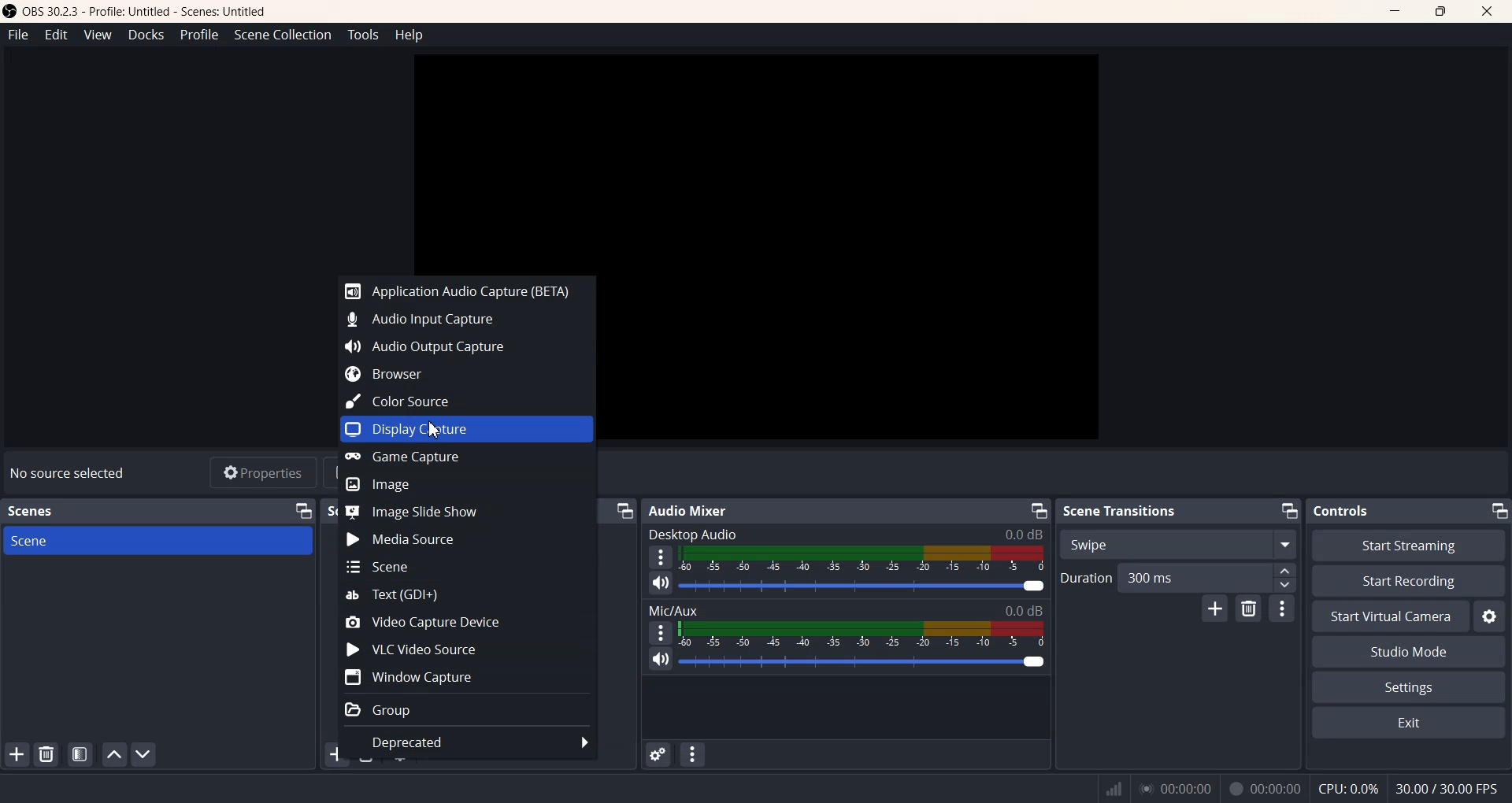  Describe the element at coordinates (148, 11) in the screenshot. I see `® OBS 30.2.3 - Profile: Untitled - Scenes: Untitled` at that location.